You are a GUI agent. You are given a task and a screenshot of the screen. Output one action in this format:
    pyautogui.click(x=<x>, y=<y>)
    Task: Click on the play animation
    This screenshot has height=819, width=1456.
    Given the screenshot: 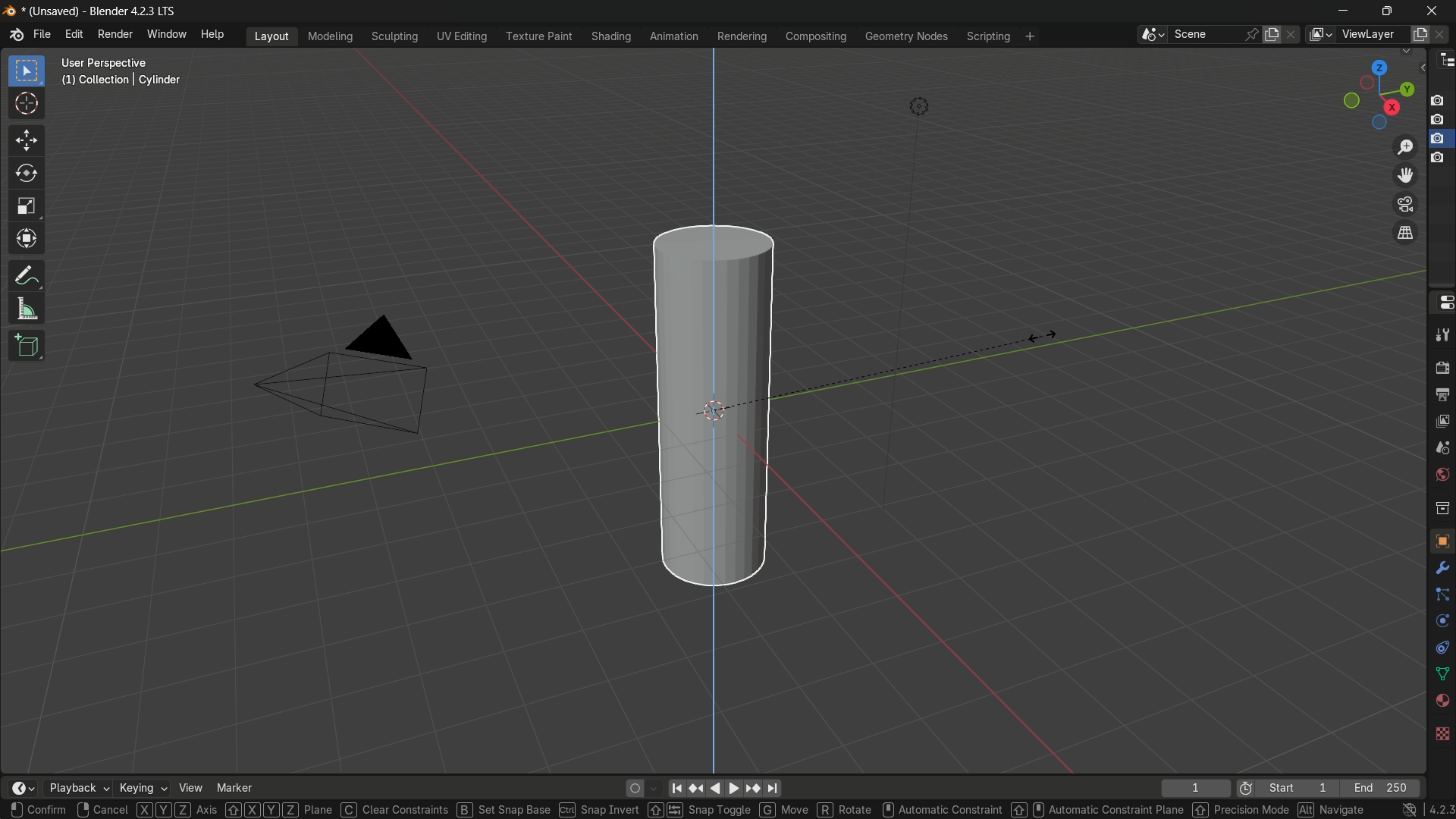 What is the action you would take?
    pyautogui.click(x=723, y=788)
    